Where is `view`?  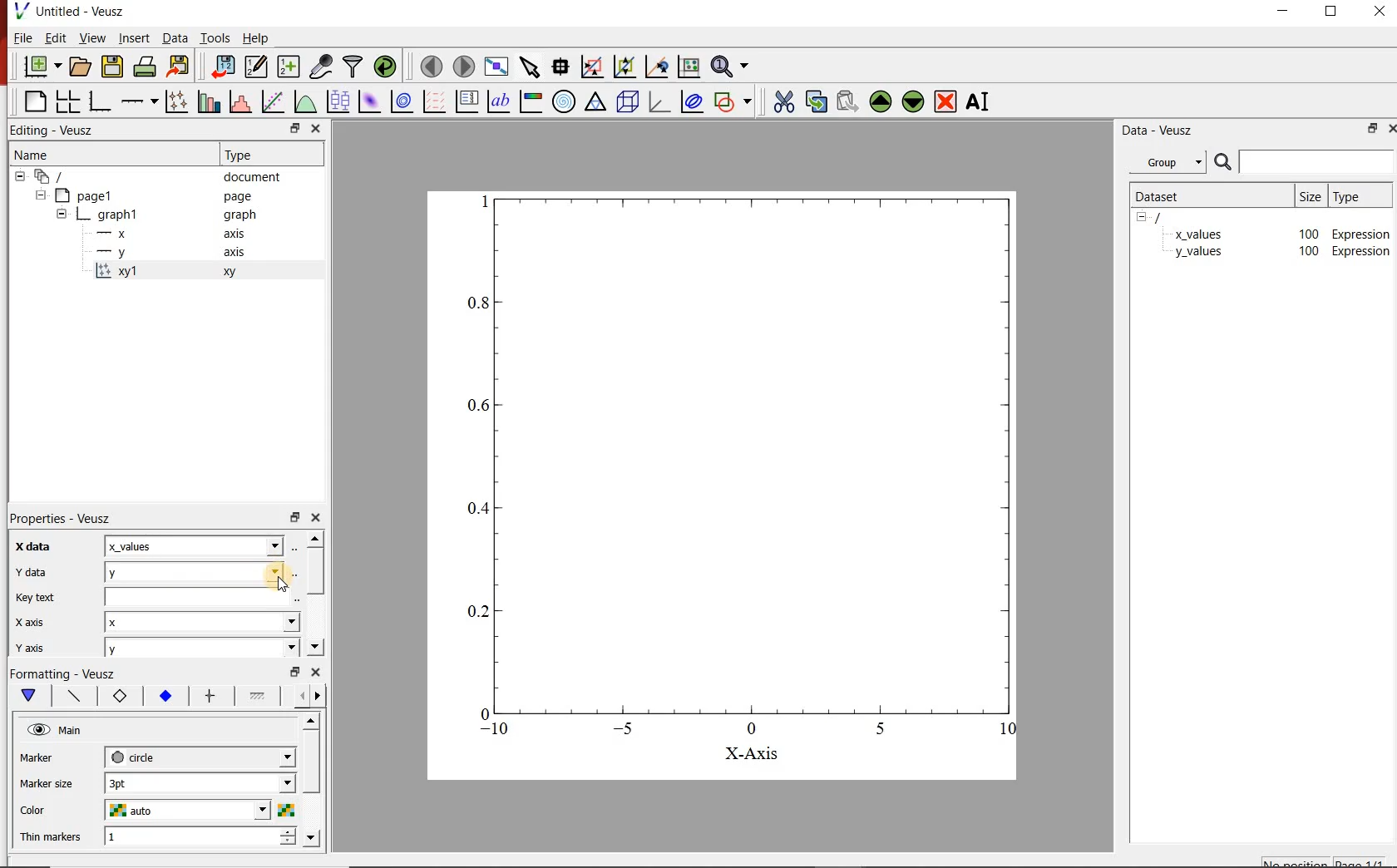 view is located at coordinates (93, 37).